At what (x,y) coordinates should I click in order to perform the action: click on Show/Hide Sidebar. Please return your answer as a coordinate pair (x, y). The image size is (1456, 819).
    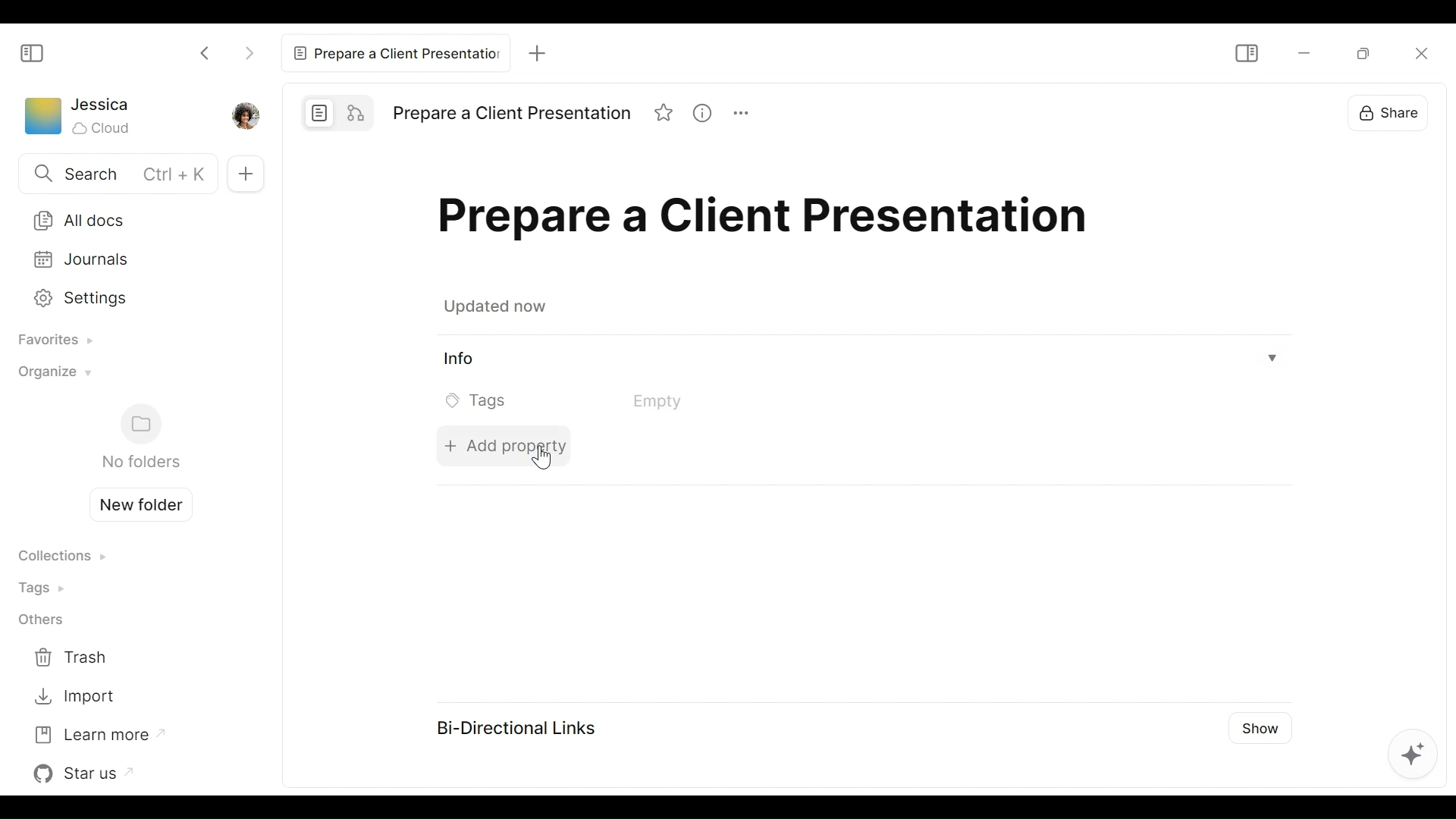
    Looking at the image, I should click on (33, 52).